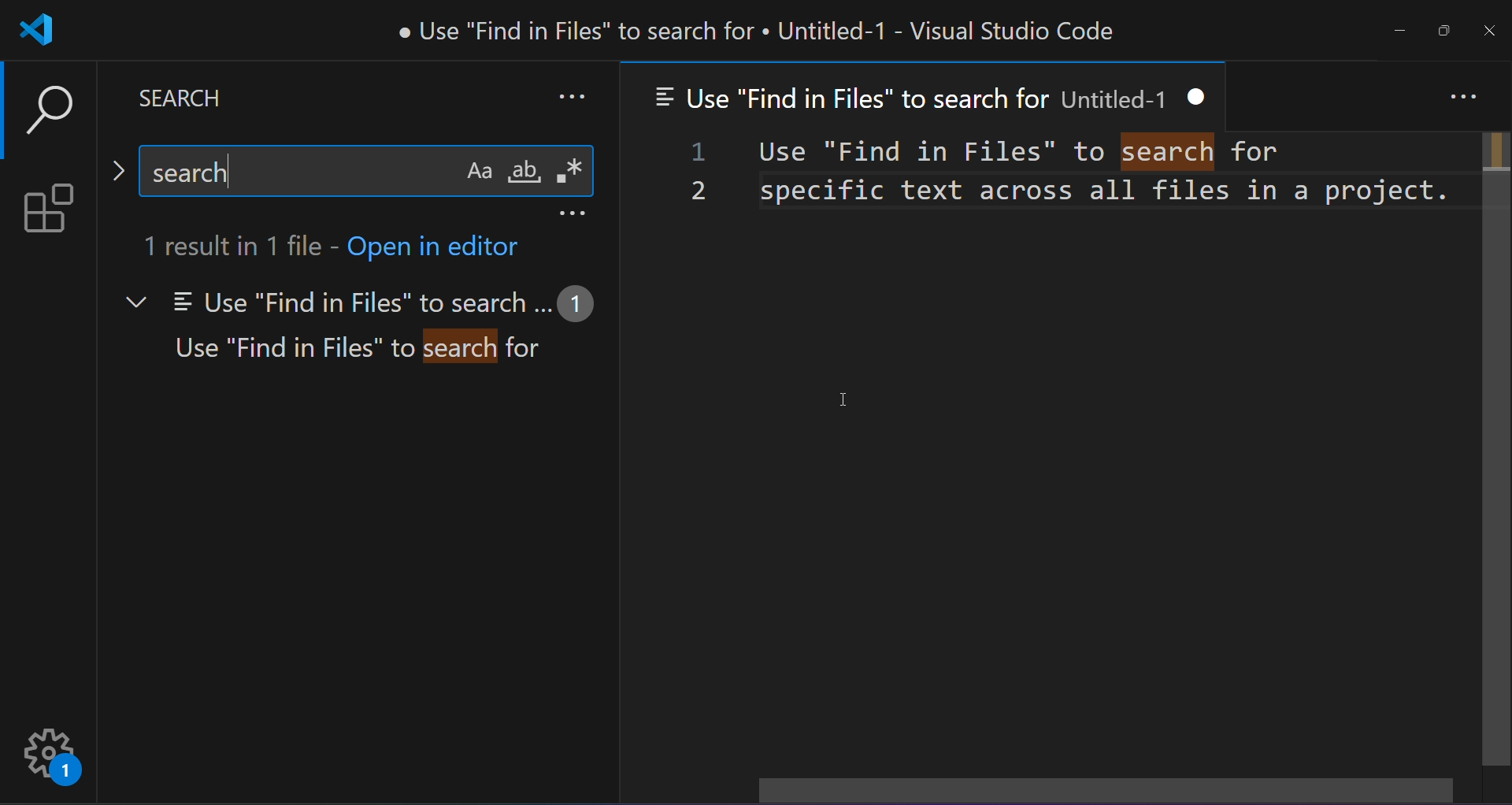 The height and width of the screenshot is (805, 1512). I want to click on settings, so click(48, 757).